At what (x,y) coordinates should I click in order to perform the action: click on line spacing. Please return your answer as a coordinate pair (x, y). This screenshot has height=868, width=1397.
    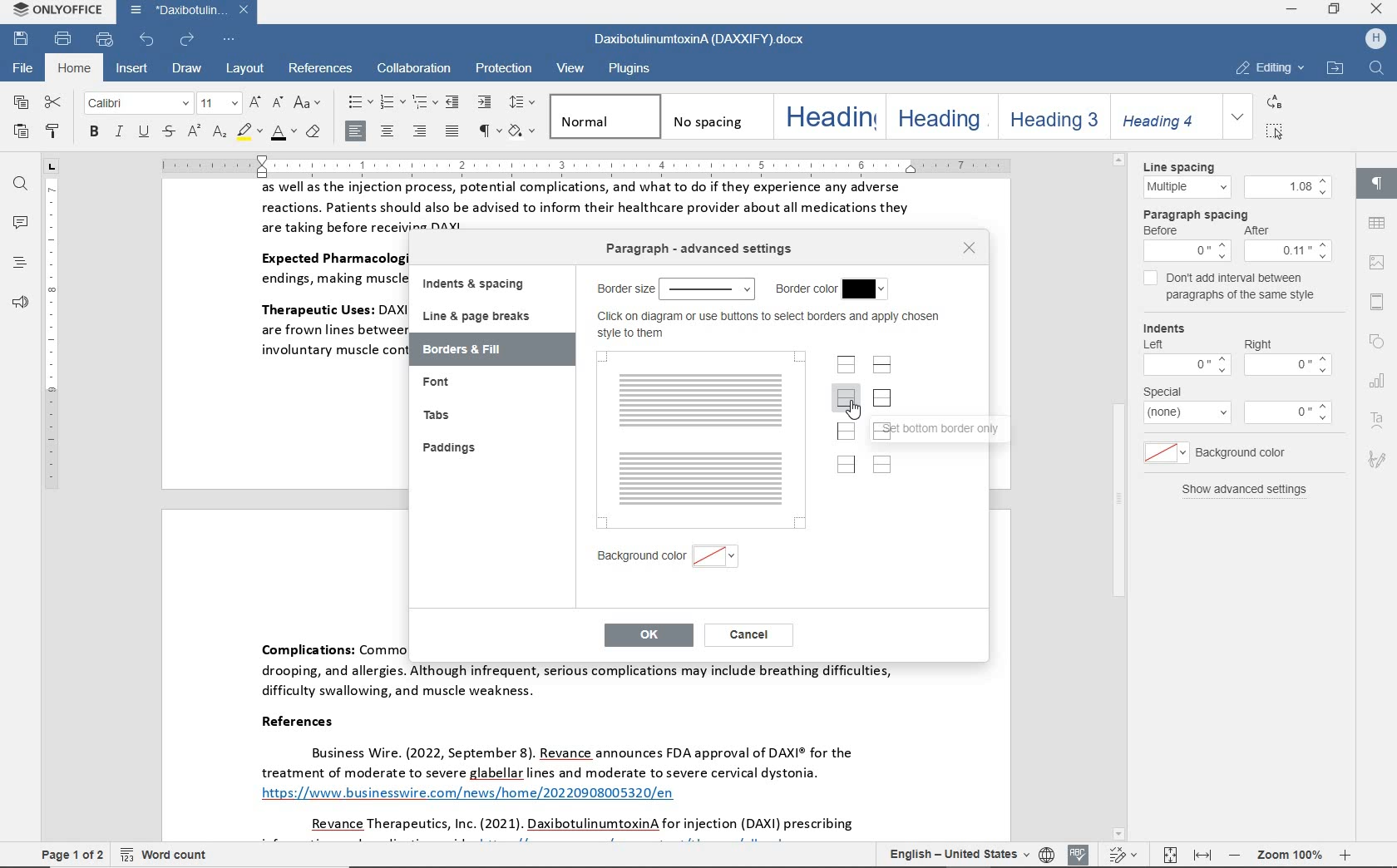
    Looking at the image, I should click on (1233, 178).